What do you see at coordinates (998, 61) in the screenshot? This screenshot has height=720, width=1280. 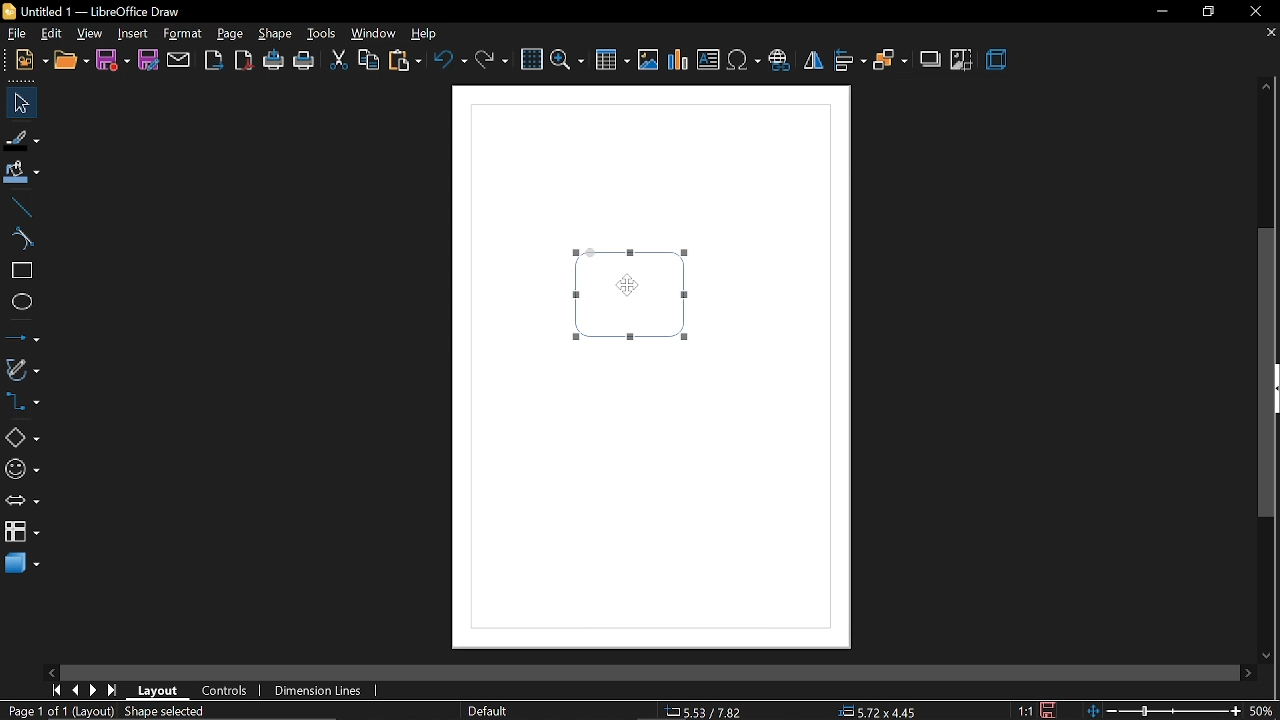 I see `3d effect` at bounding box center [998, 61].